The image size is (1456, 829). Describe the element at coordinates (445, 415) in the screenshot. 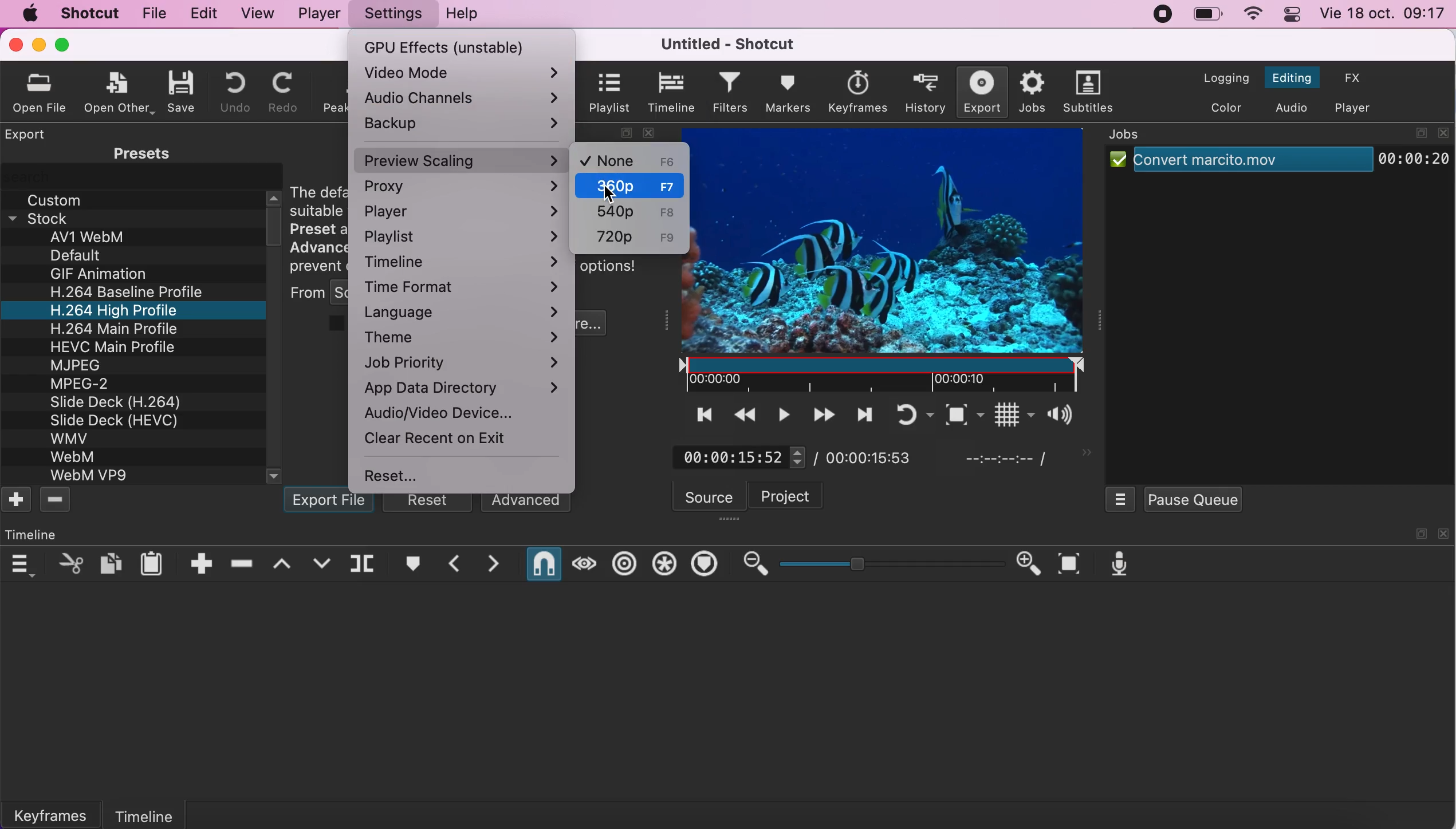

I see `audio/video device` at that location.